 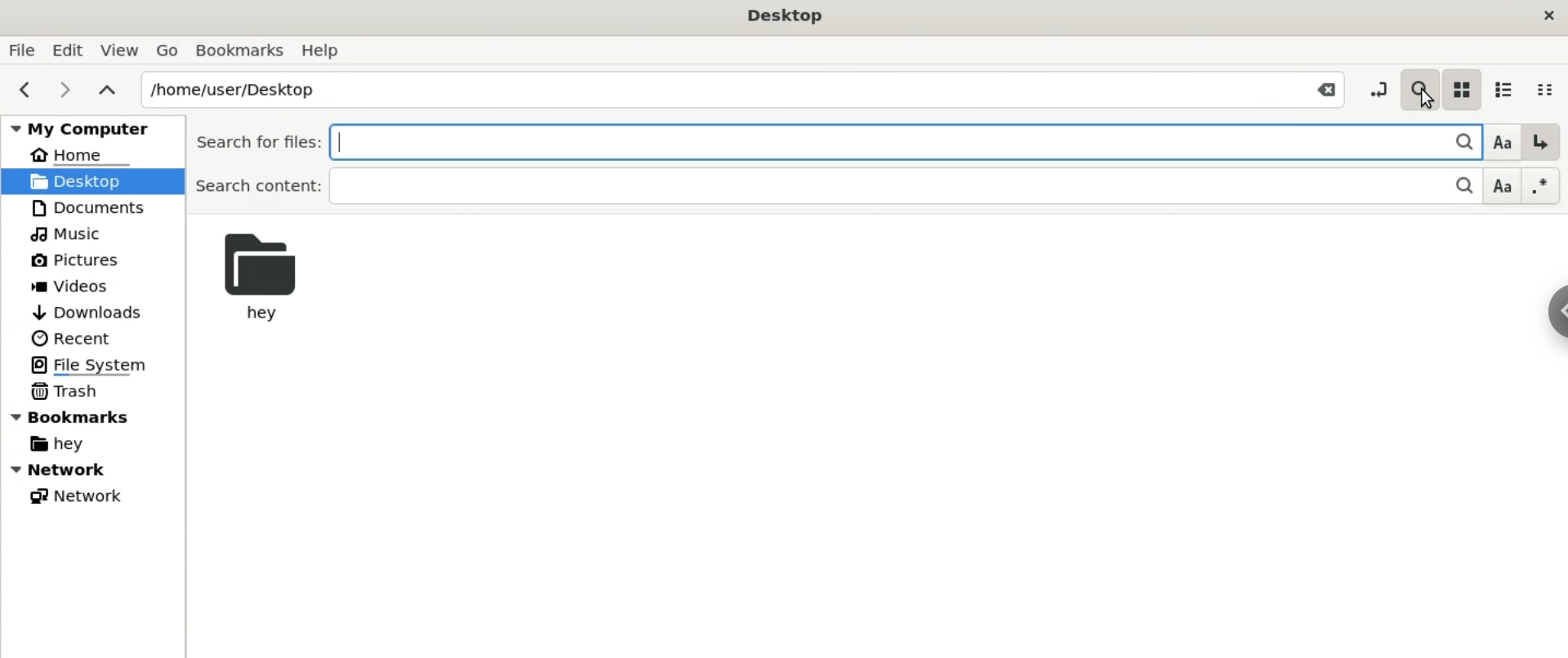 What do you see at coordinates (241, 51) in the screenshot?
I see `Bookmarks` at bounding box center [241, 51].